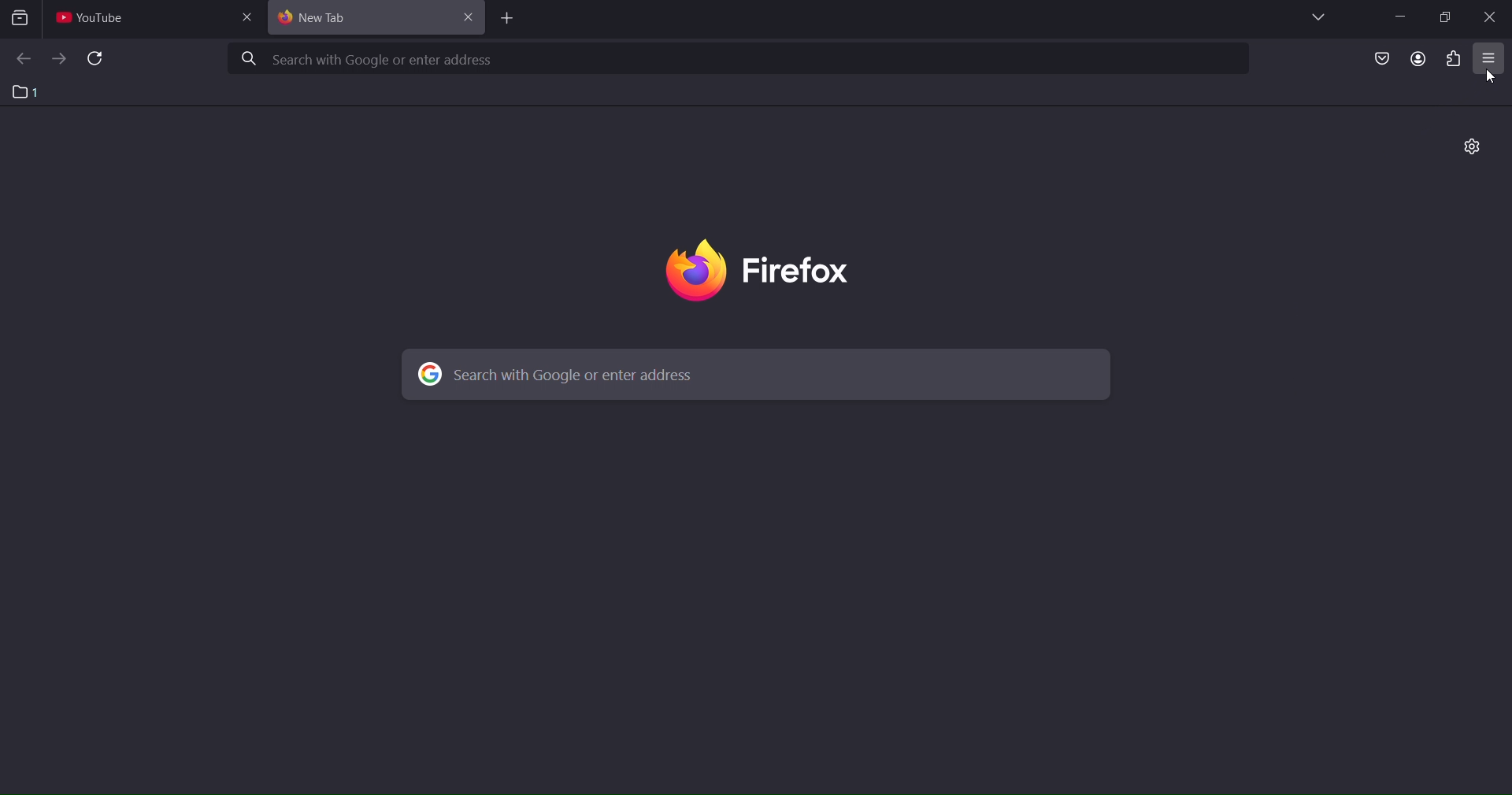 This screenshot has width=1512, height=795. I want to click on close page, so click(251, 17).